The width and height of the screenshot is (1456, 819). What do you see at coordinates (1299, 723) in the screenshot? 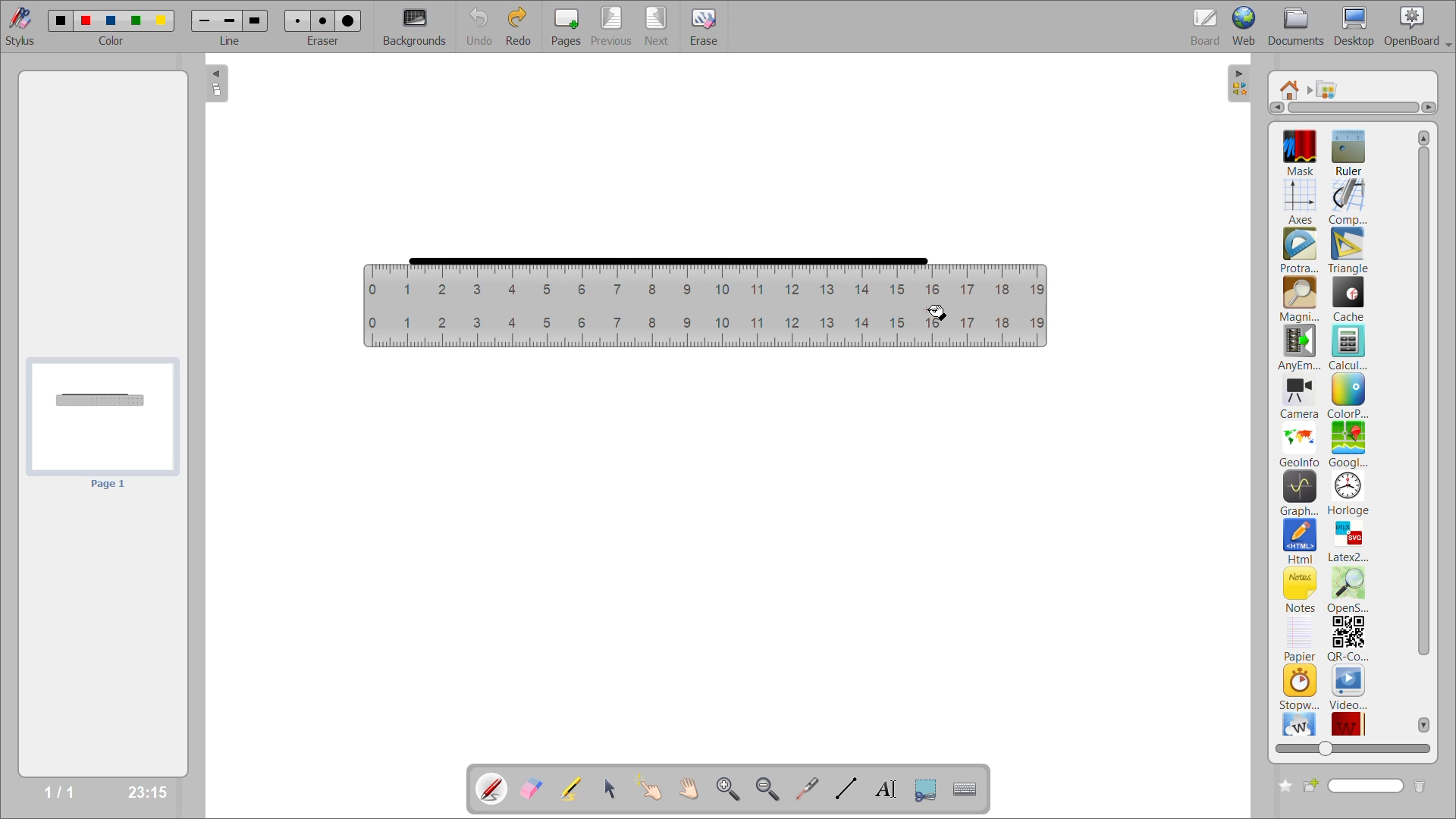
I see `wikipedia` at bounding box center [1299, 723].